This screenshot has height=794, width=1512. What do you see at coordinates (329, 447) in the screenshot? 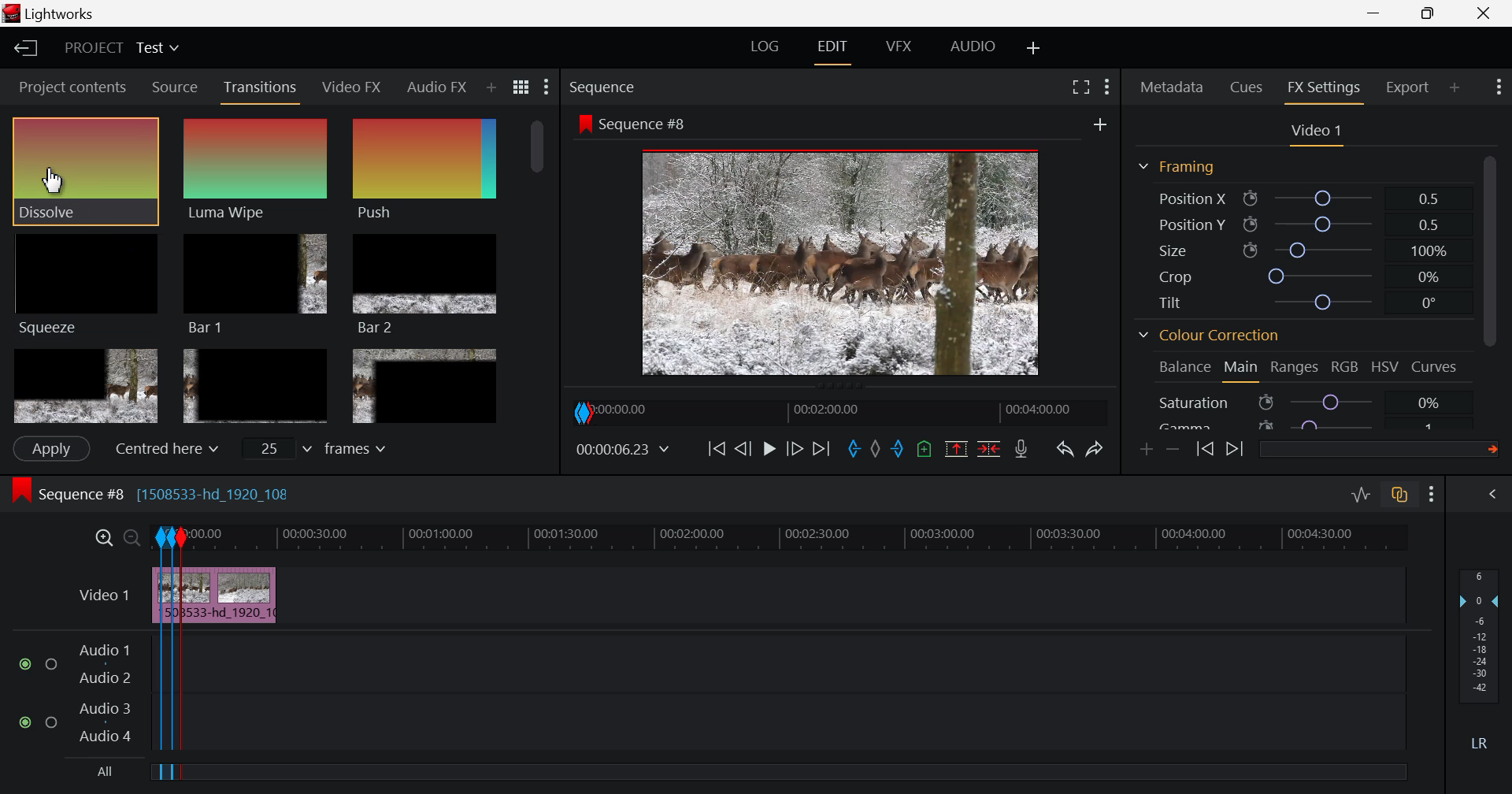
I see `frames input field` at bounding box center [329, 447].